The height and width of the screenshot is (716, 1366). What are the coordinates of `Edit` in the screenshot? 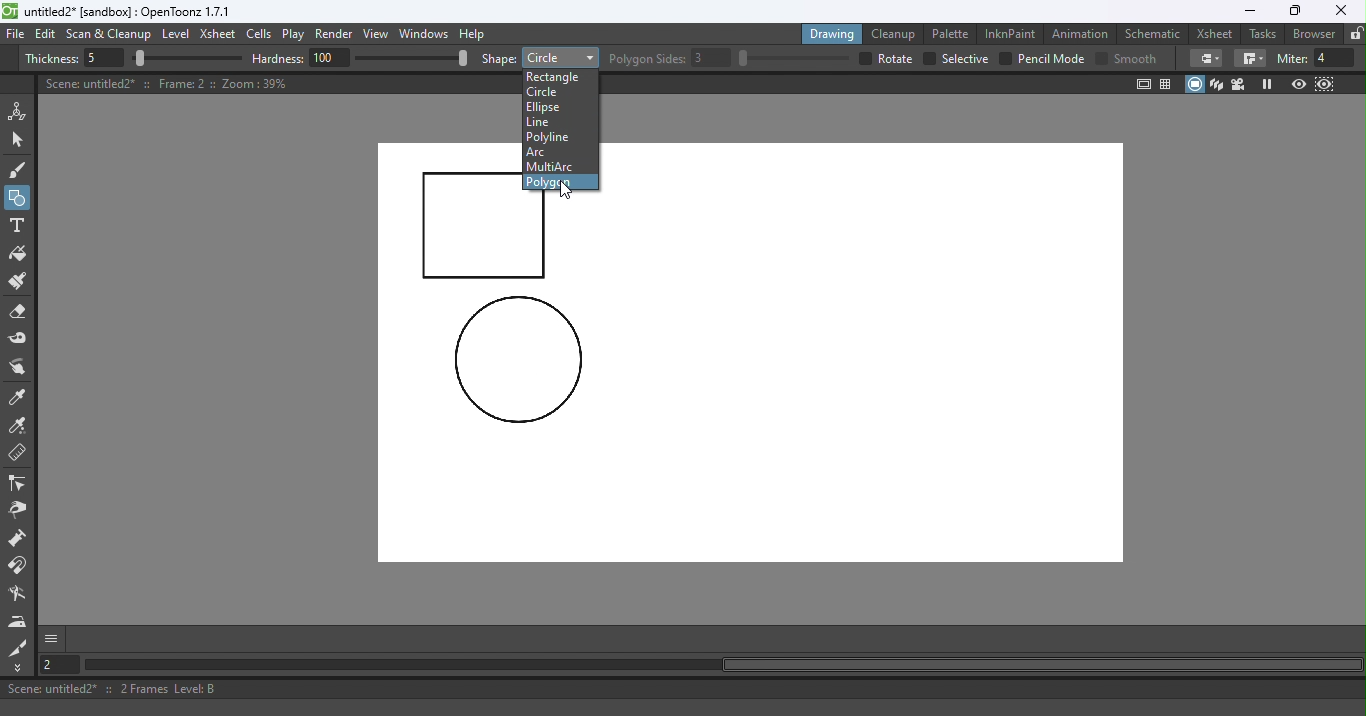 It's located at (48, 34).